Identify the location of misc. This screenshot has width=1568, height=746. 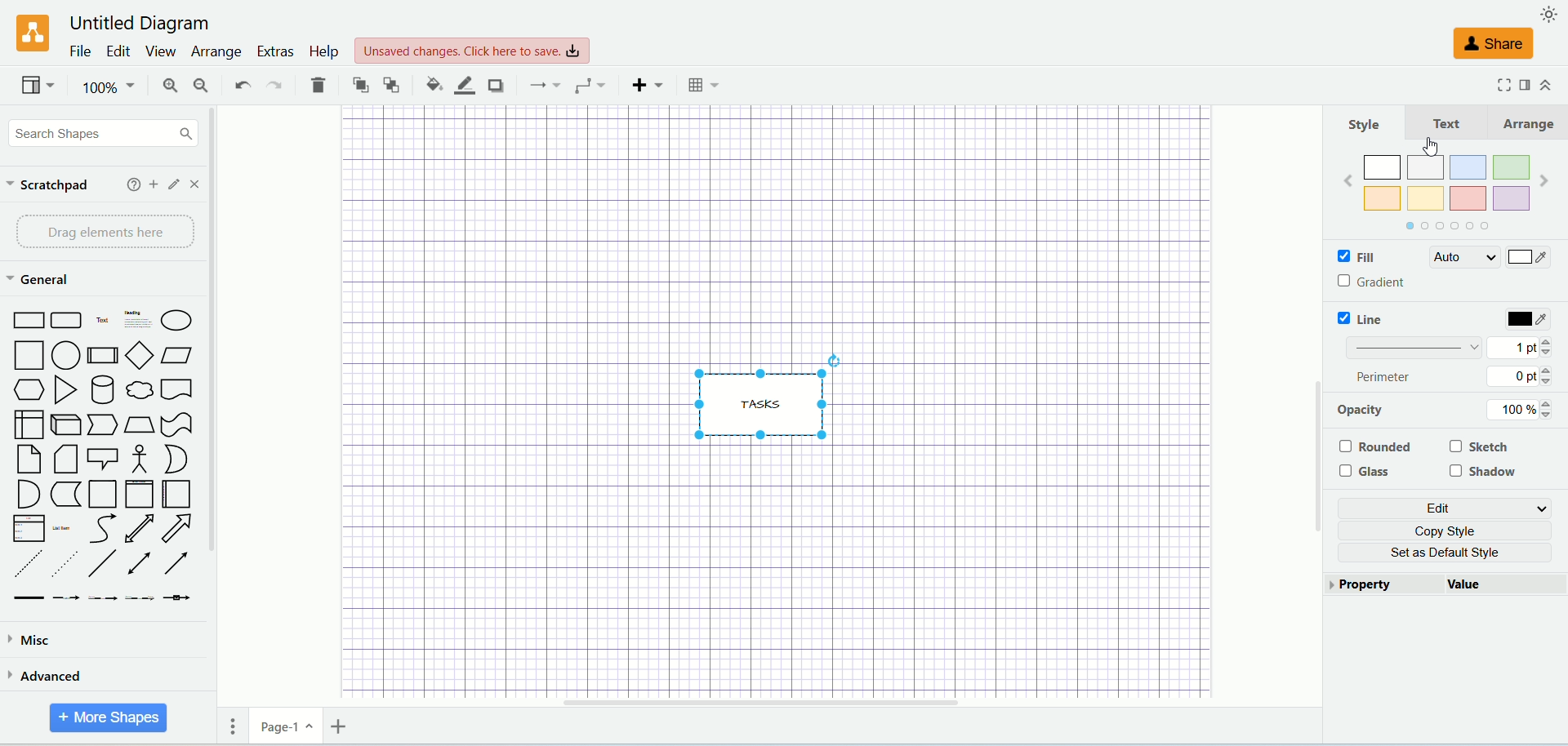
(87, 642).